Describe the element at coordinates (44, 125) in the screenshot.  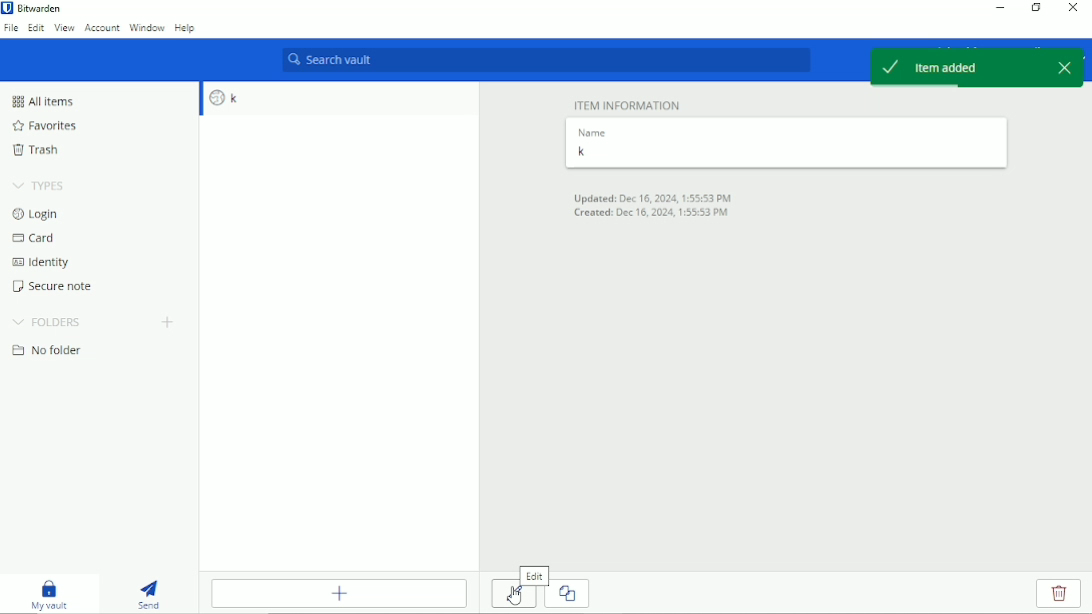
I see `Favorites` at that location.